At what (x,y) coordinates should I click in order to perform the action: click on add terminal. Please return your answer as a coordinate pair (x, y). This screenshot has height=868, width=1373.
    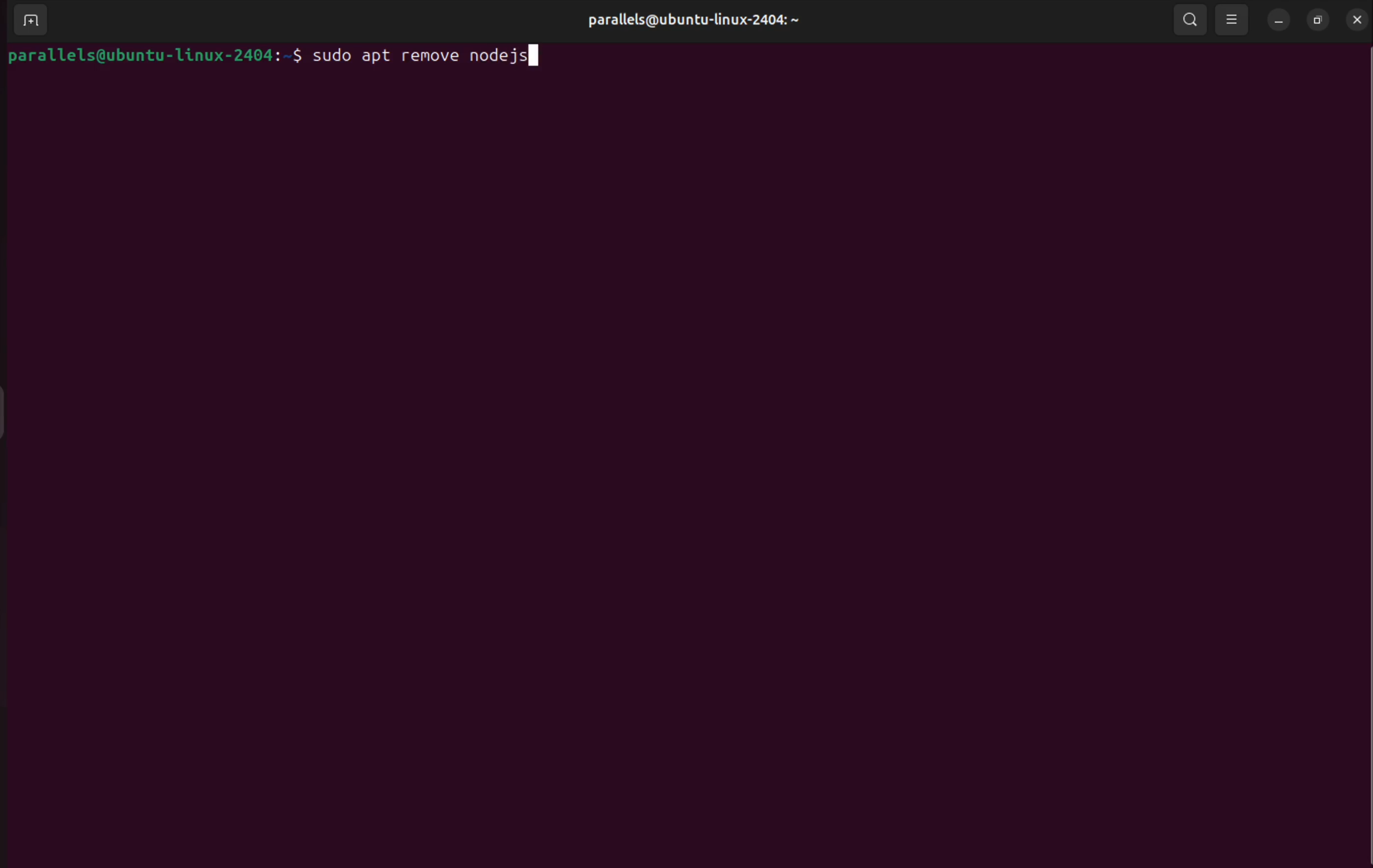
    Looking at the image, I should click on (30, 21).